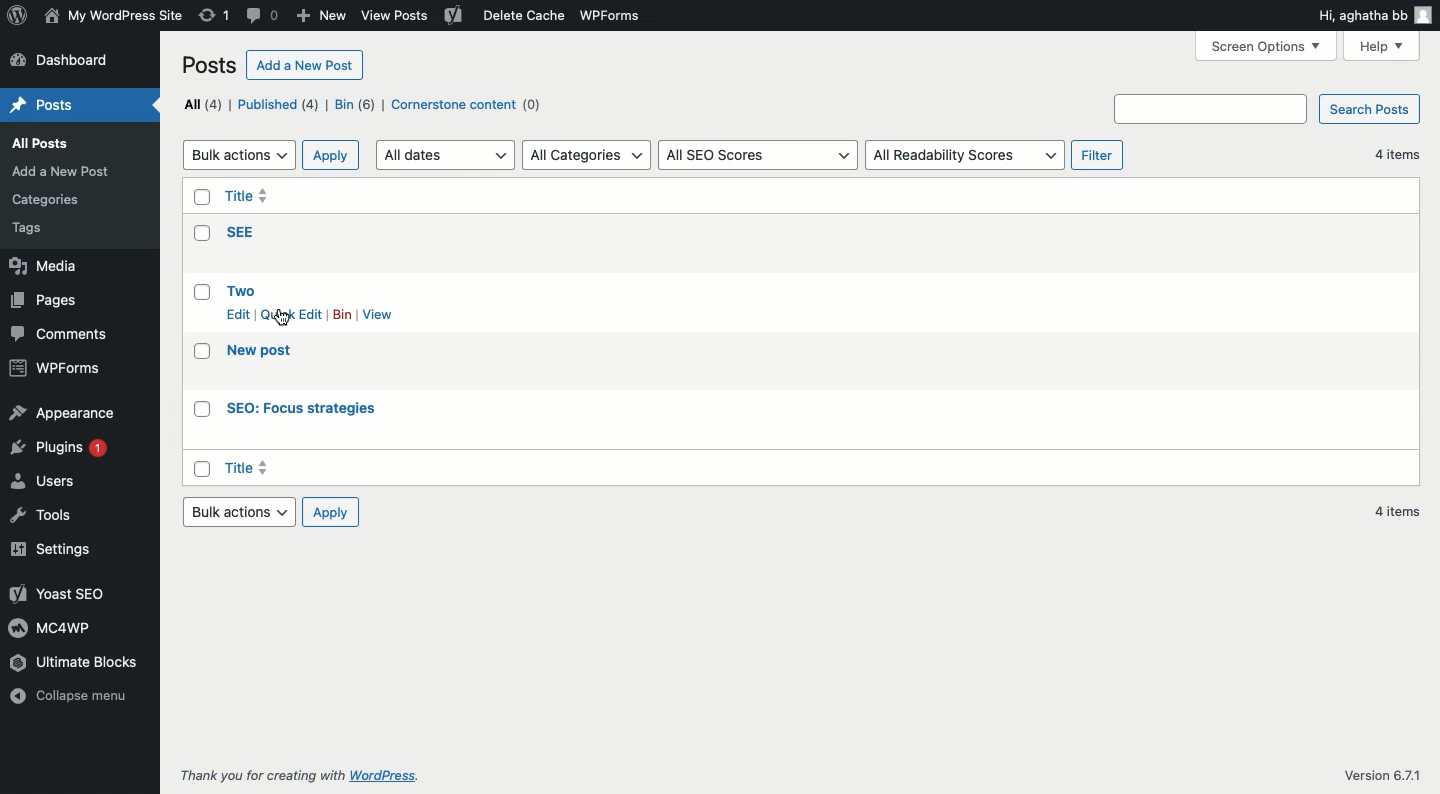 Image resolution: width=1440 pixels, height=794 pixels. Describe the element at coordinates (49, 105) in the screenshot. I see `Post` at that location.